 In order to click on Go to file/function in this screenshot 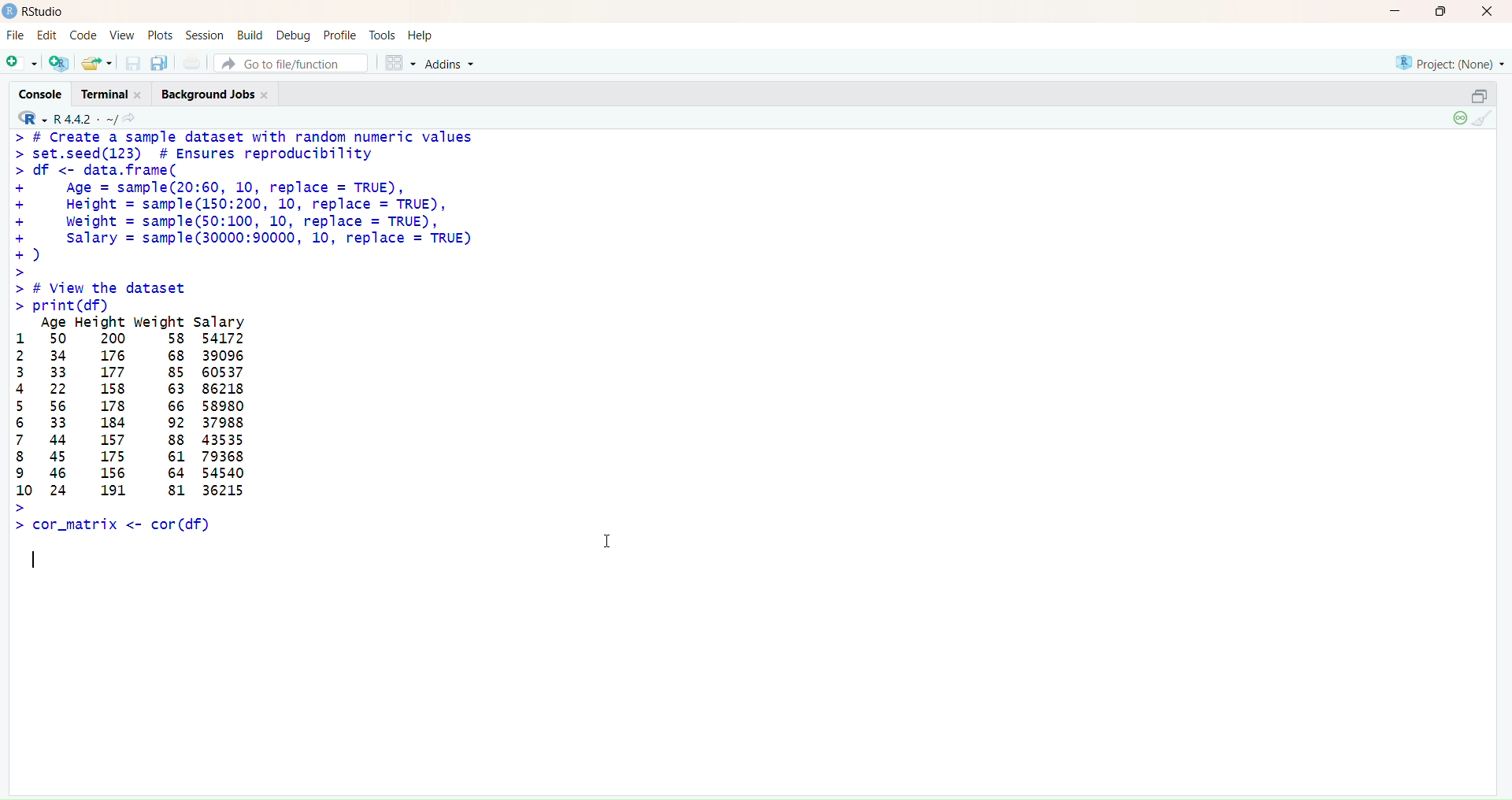, I will do `click(290, 64)`.